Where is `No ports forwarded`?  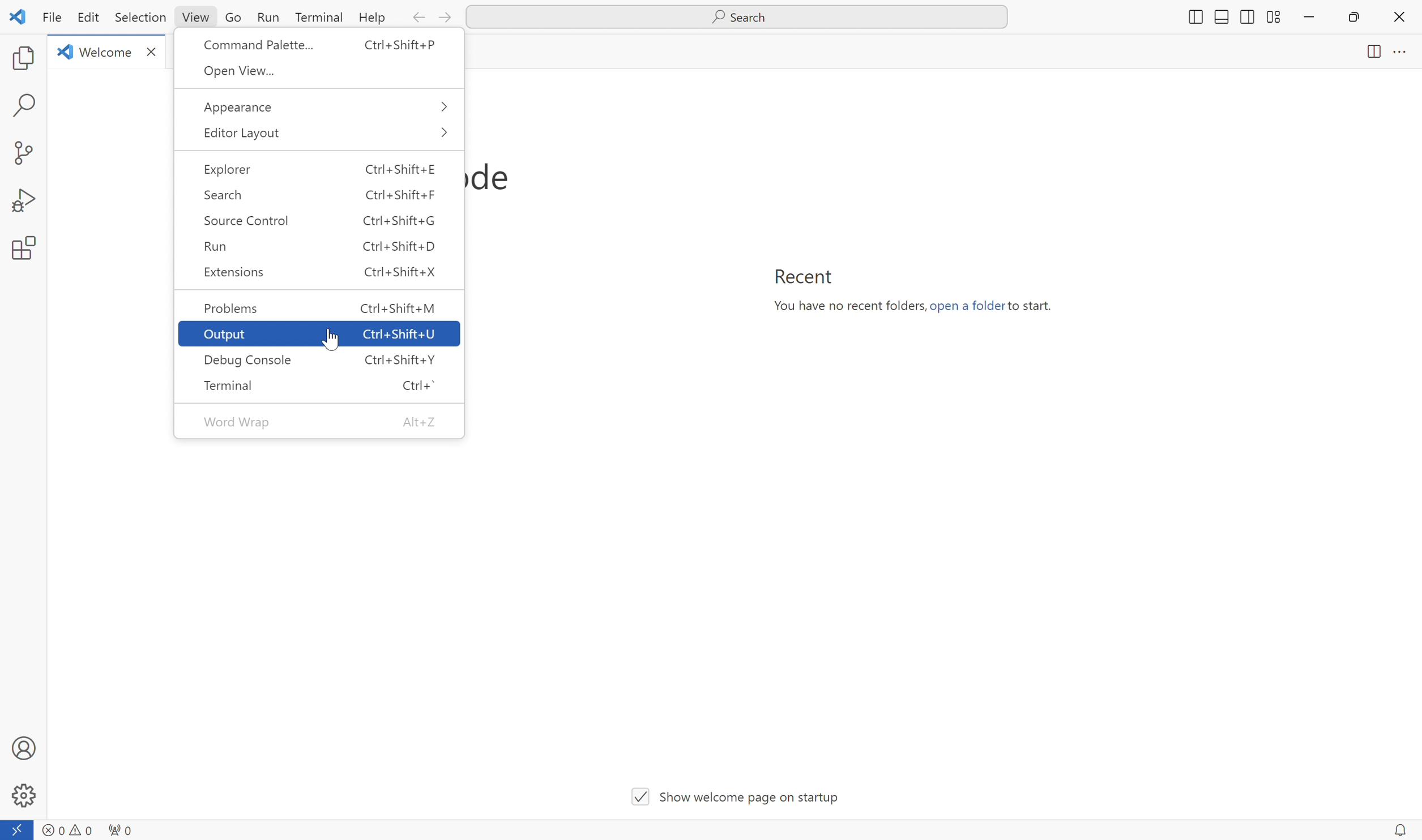
No ports forwarded is located at coordinates (121, 829).